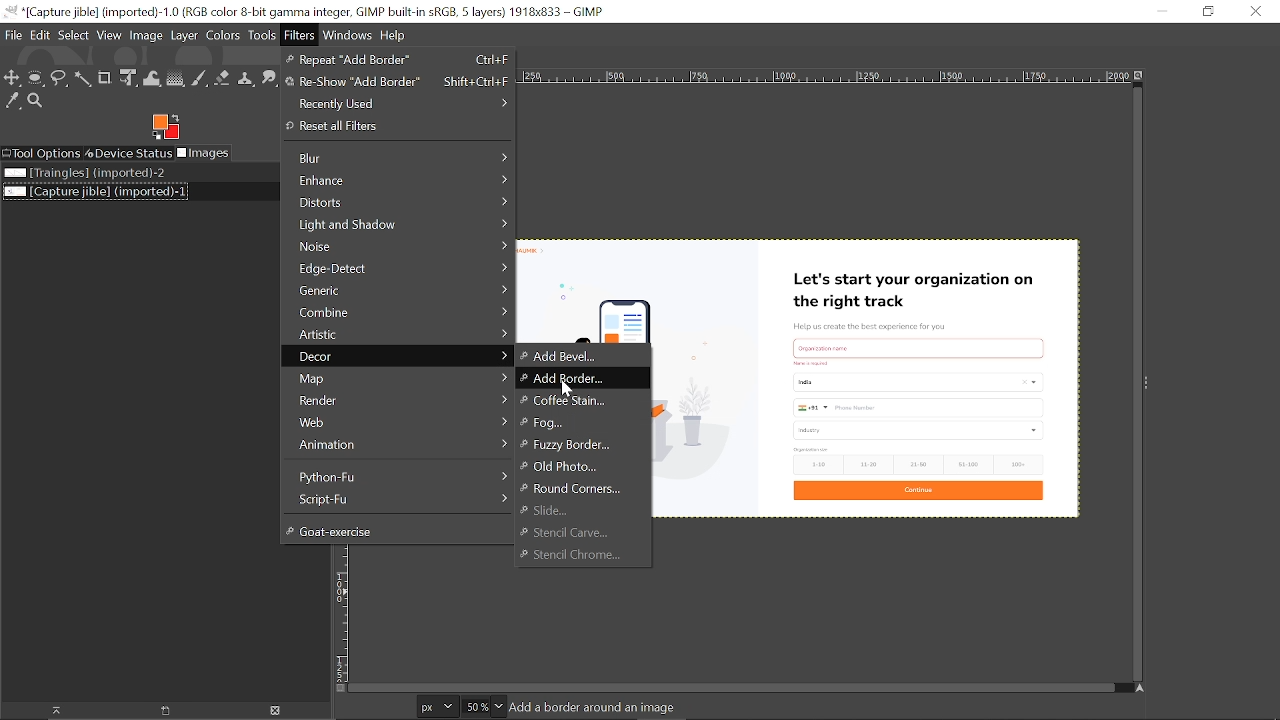 The height and width of the screenshot is (720, 1280). I want to click on Layer, so click(184, 35).